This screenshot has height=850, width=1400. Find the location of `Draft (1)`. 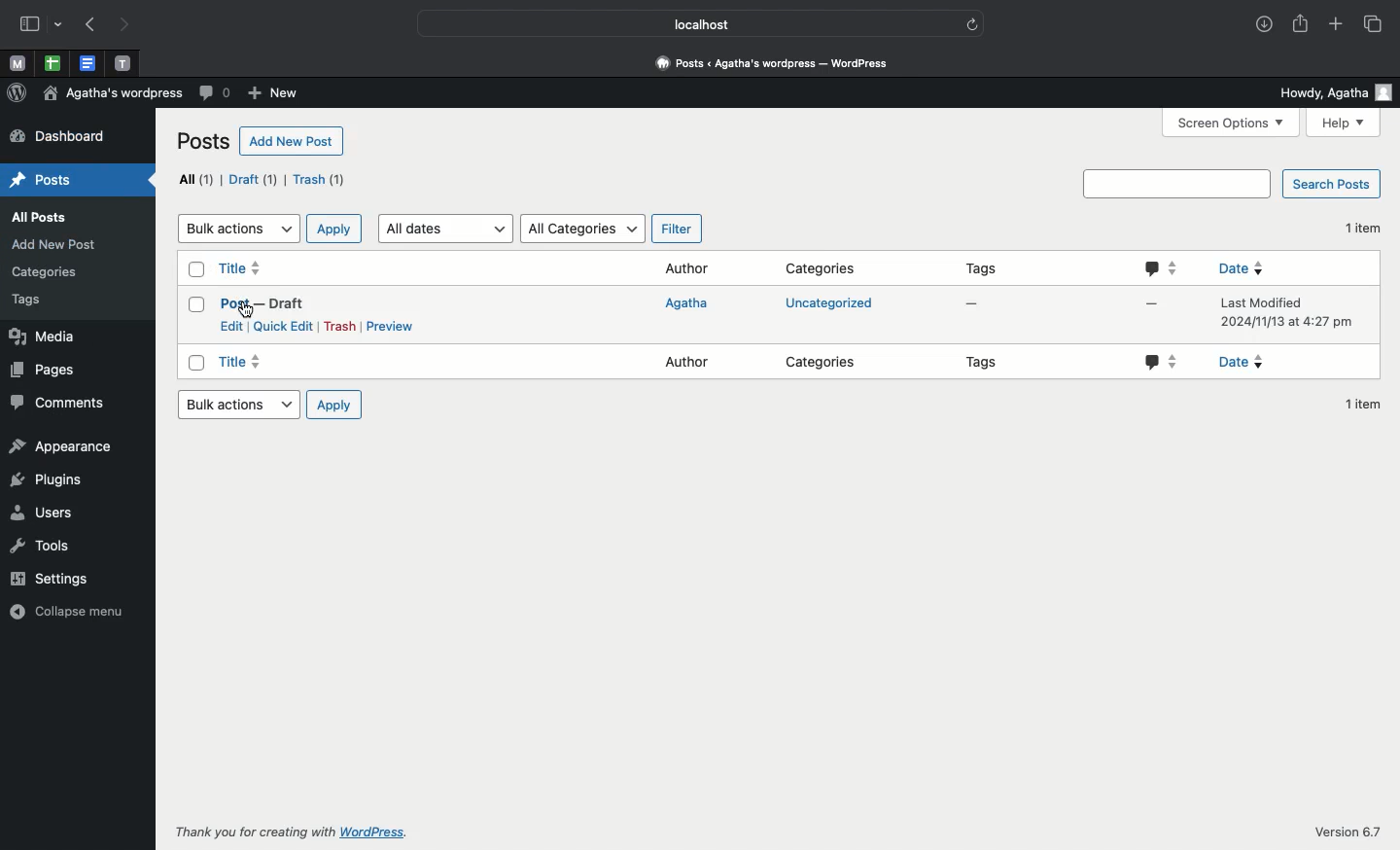

Draft (1) is located at coordinates (255, 179).